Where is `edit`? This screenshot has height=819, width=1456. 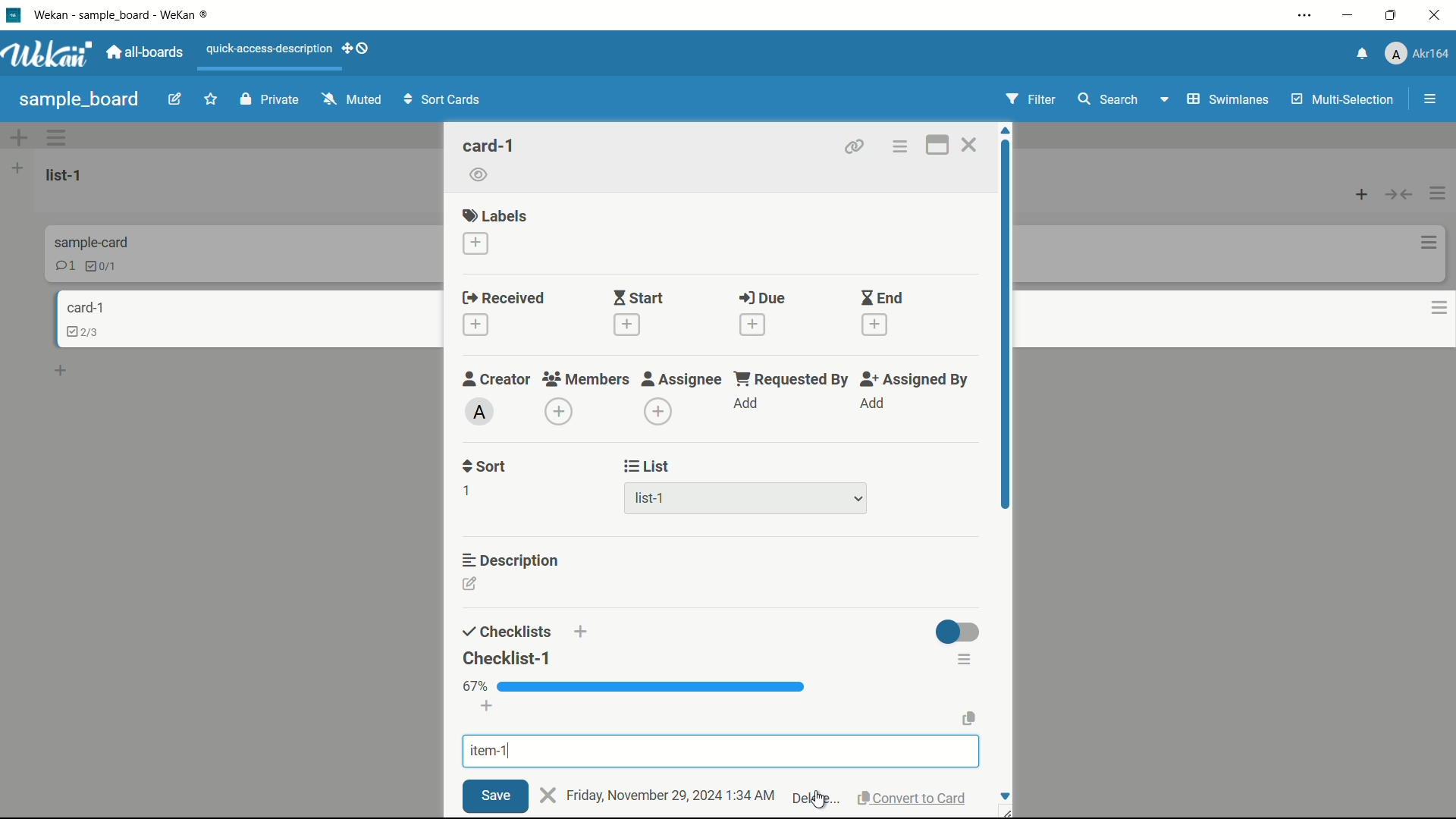 edit is located at coordinates (175, 99).